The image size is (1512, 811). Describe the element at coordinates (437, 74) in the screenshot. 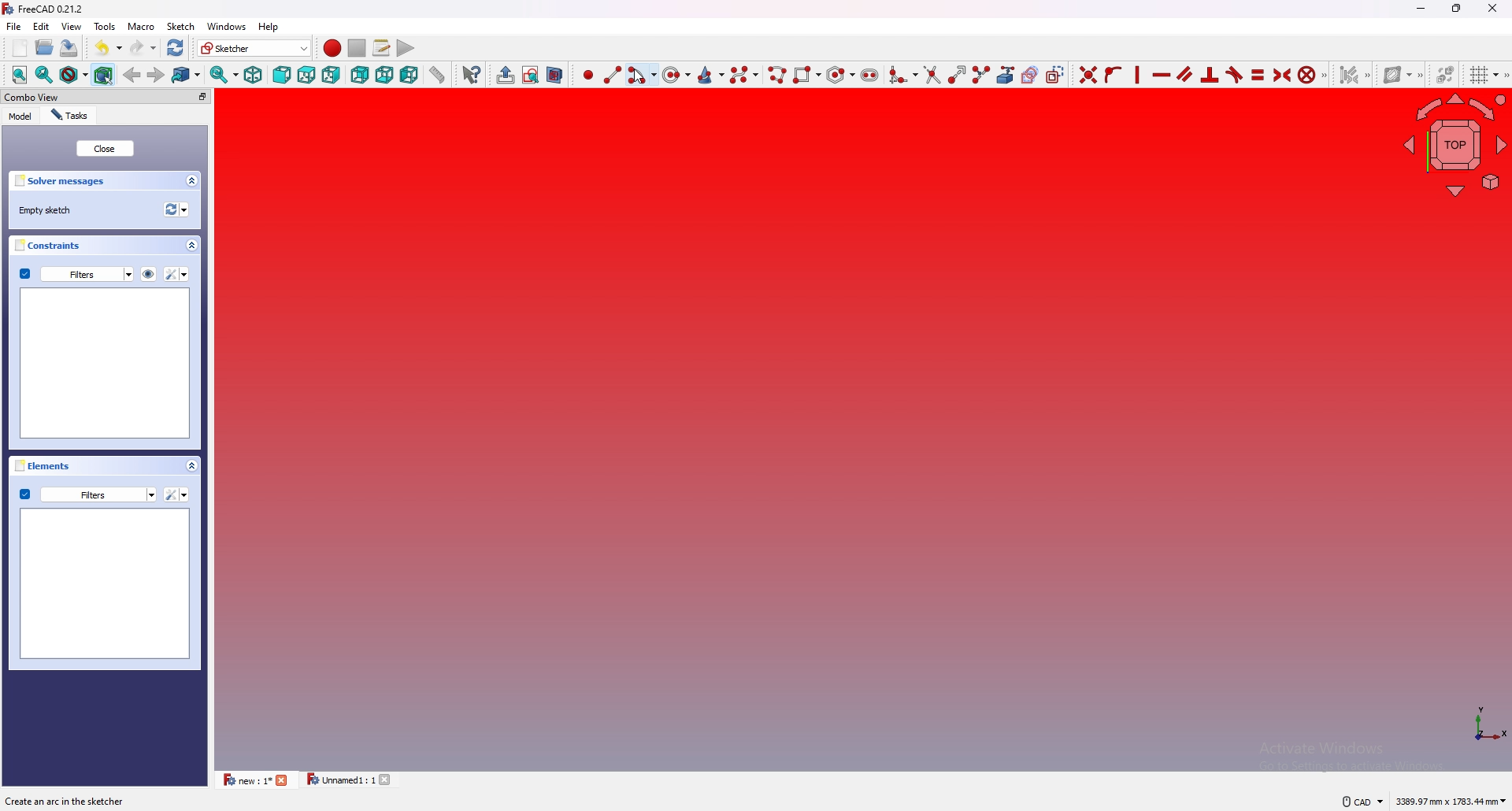

I see `measure distance` at that location.